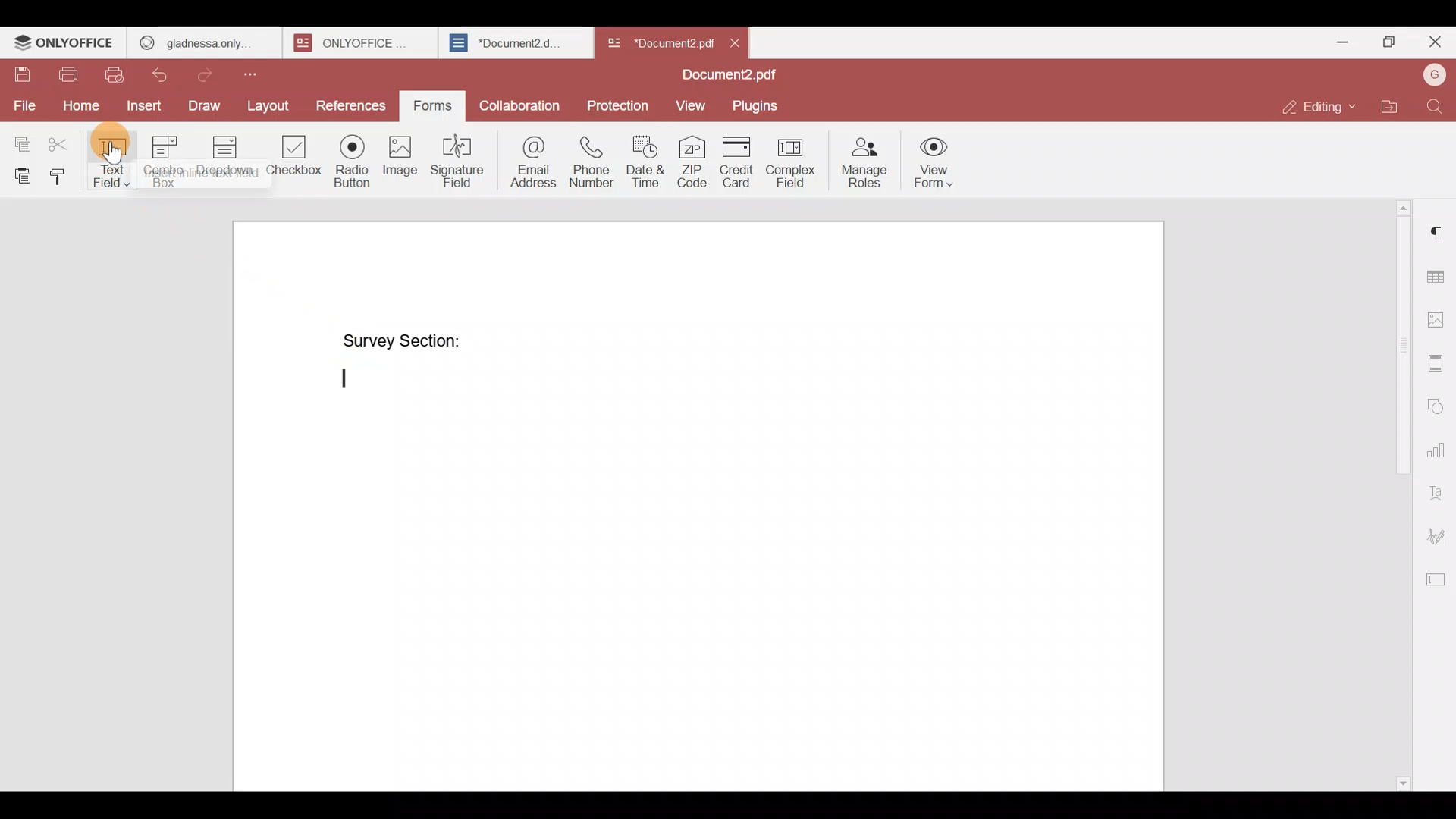 This screenshot has width=1456, height=819. I want to click on Chart settings, so click(1438, 450).